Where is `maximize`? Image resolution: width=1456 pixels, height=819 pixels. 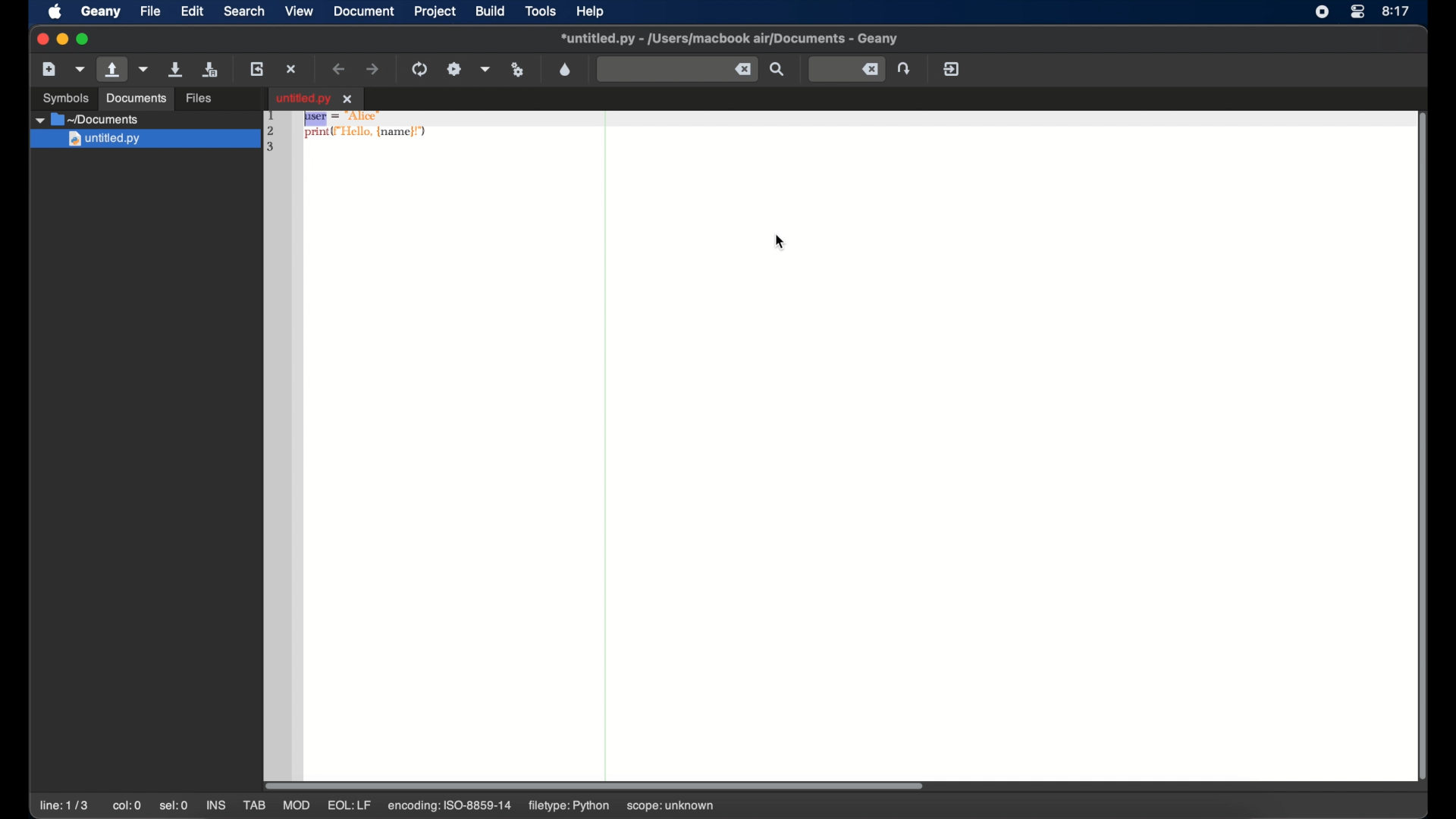
maximize is located at coordinates (85, 39).